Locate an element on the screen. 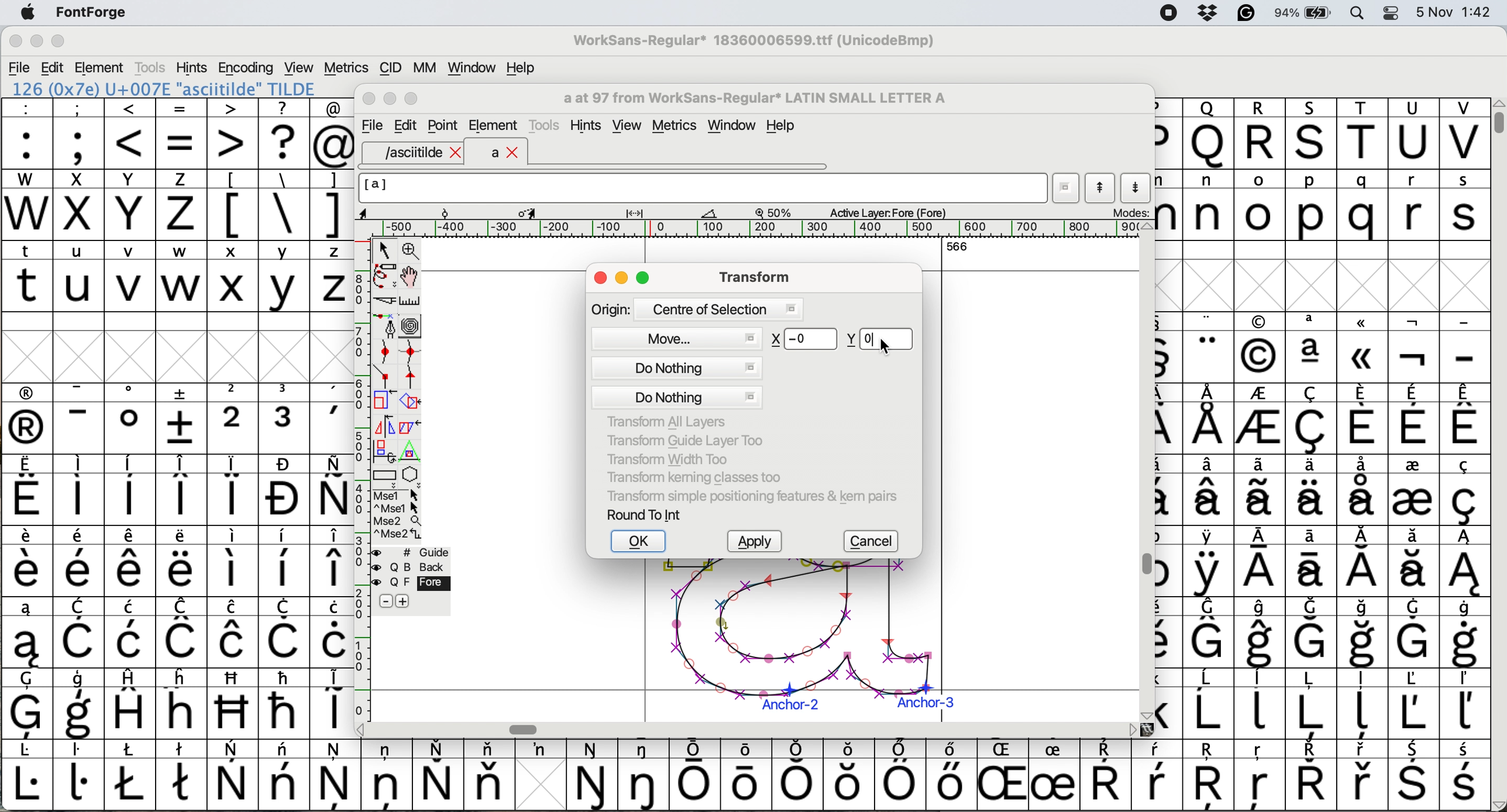 Image resolution: width=1507 pixels, height=812 pixels.  is located at coordinates (1259, 348).